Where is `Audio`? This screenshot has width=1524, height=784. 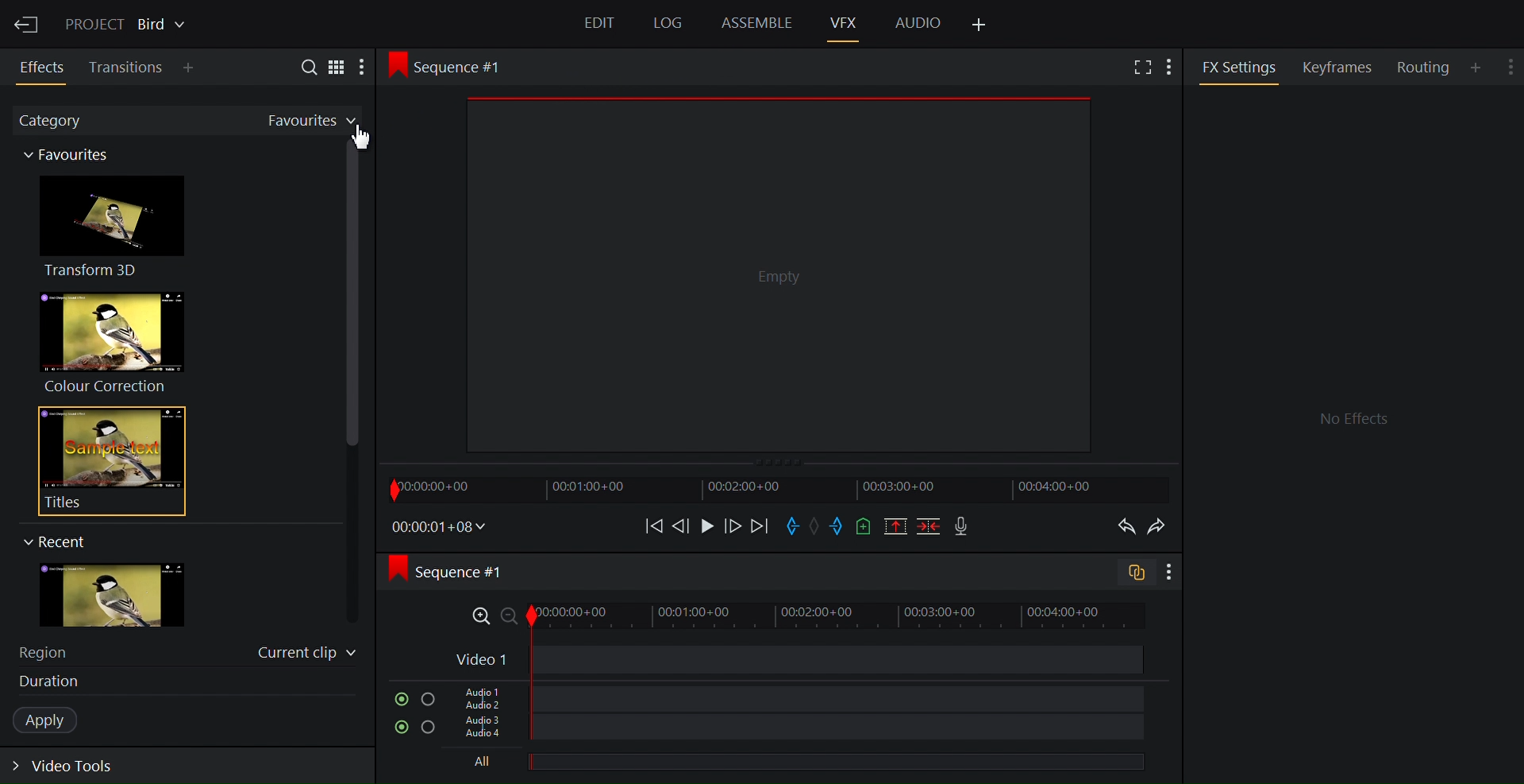
Audio is located at coordinates (918, 21).